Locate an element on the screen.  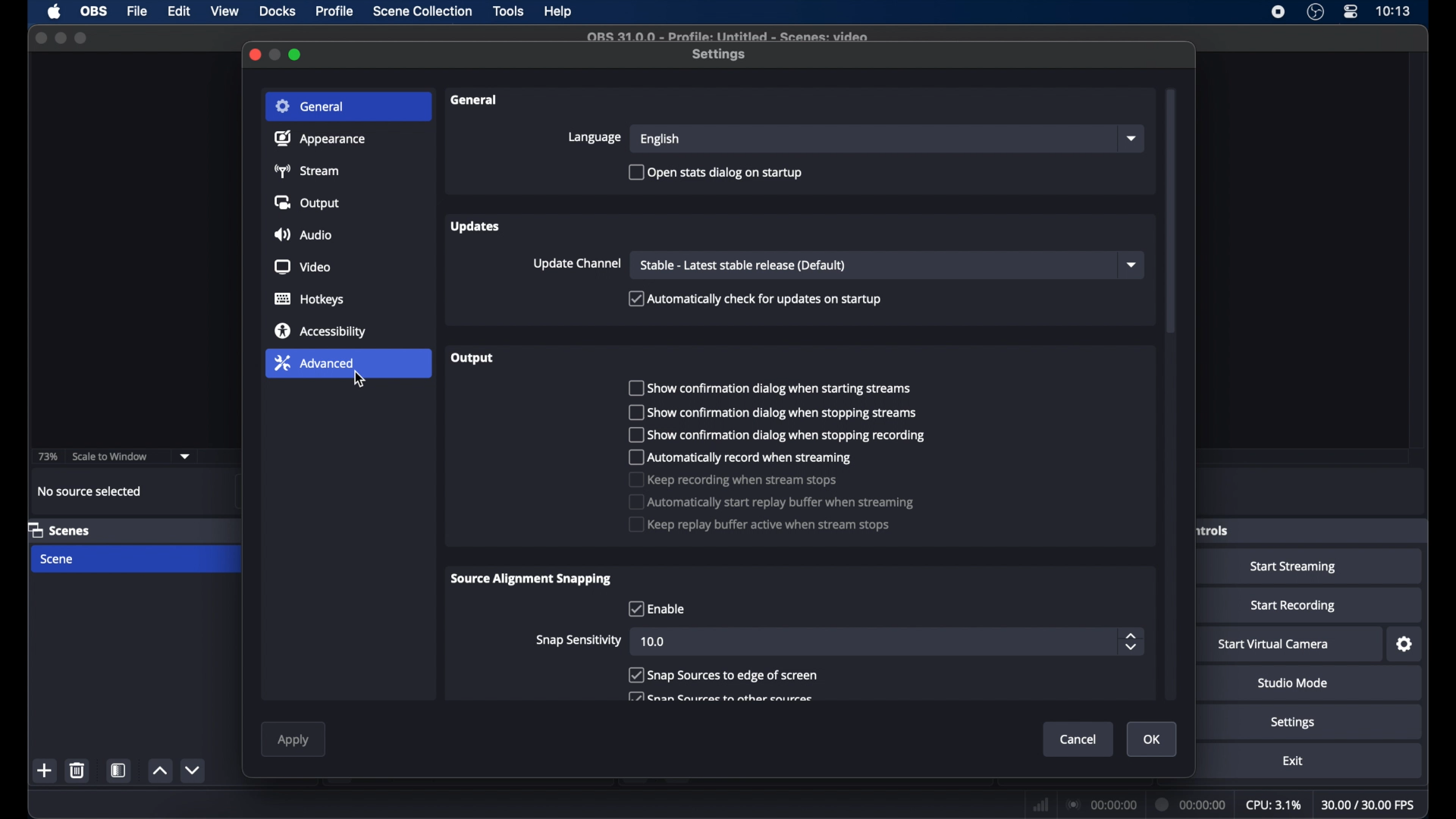
Stable - Latest stable release (Default) is located at coordinates (745, 265).